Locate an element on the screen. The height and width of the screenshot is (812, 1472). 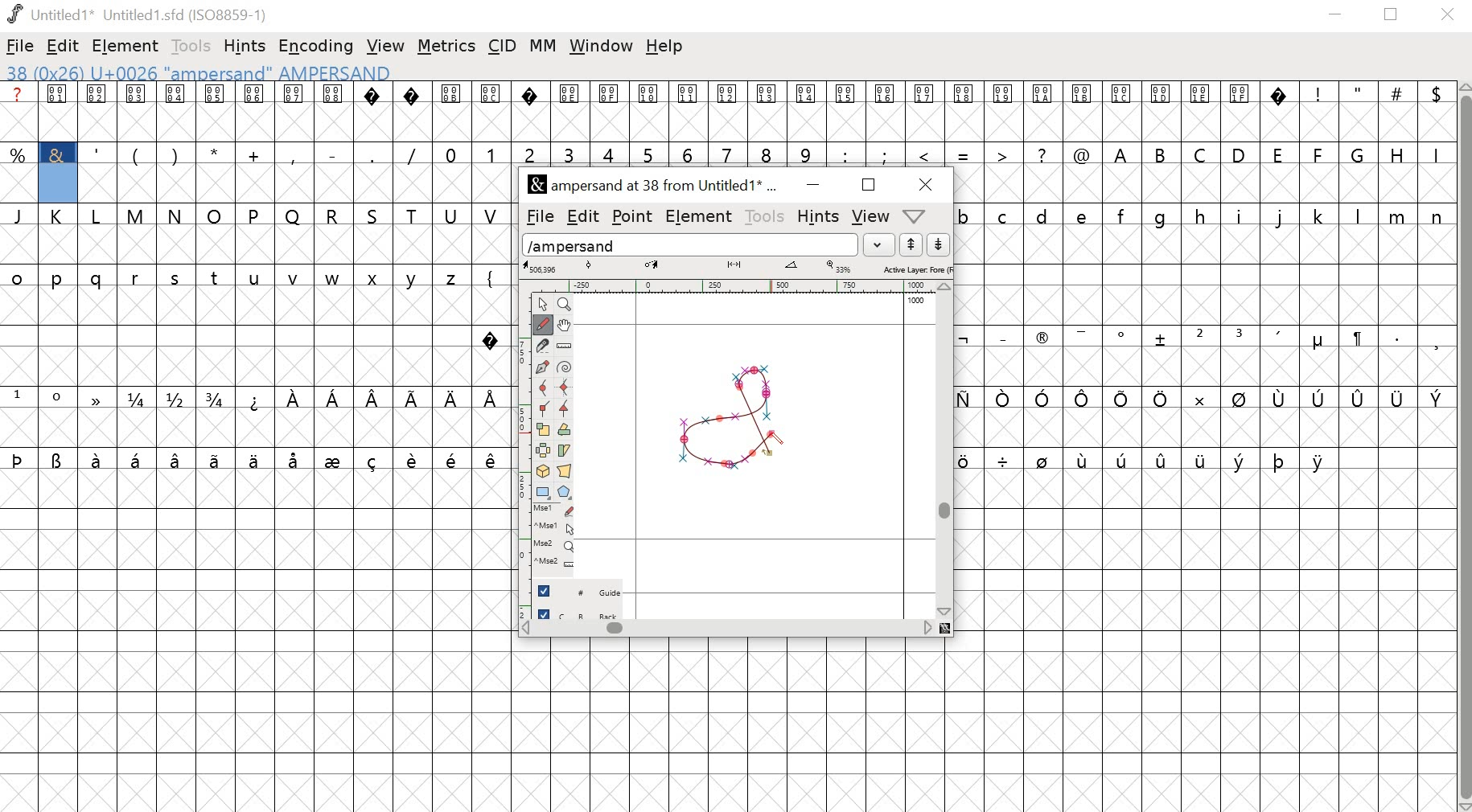
m is located at coordinates (1399, 215).